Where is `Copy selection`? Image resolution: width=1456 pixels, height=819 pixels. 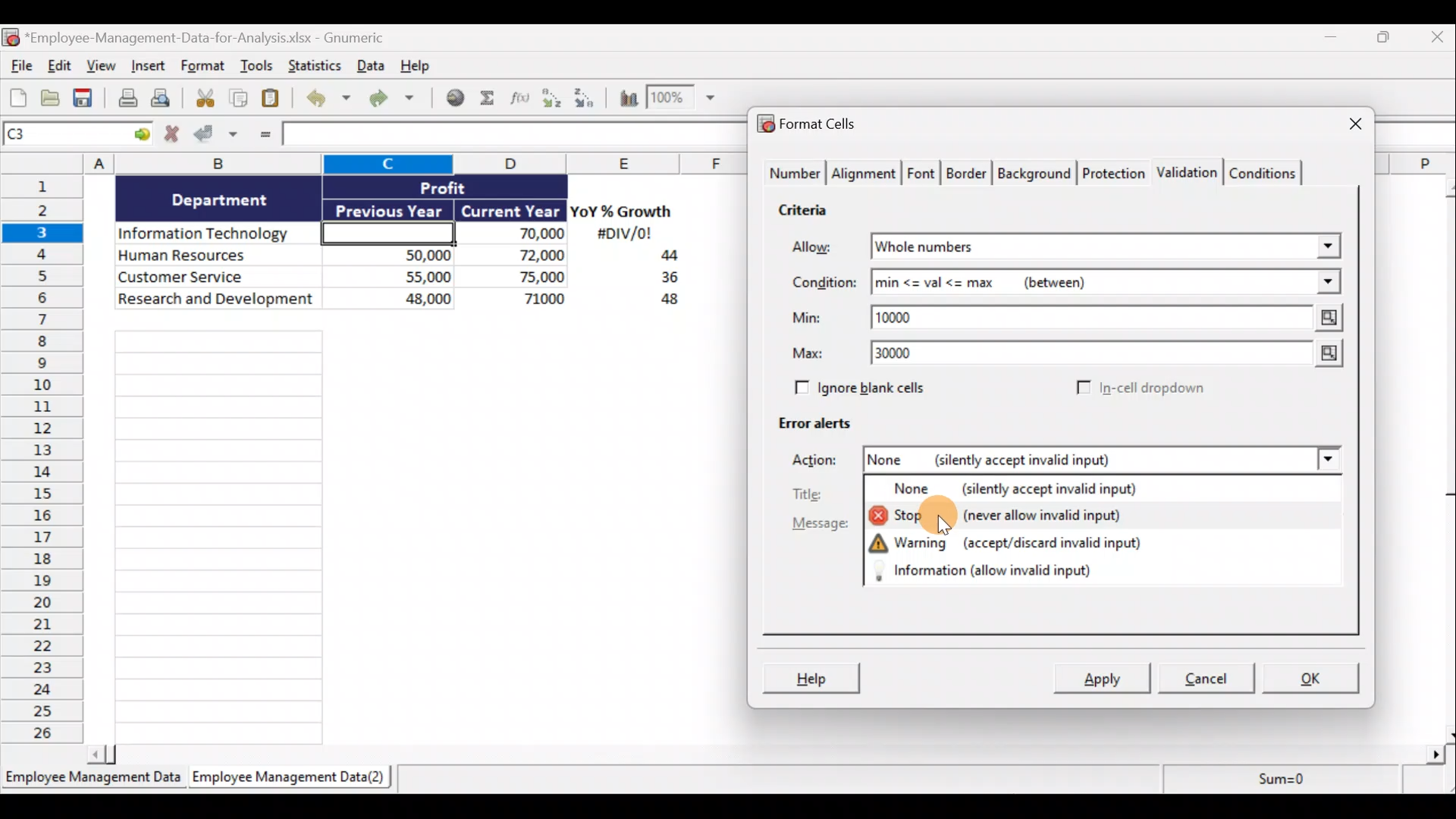
Copy selection is located at coordinates (239, 99).